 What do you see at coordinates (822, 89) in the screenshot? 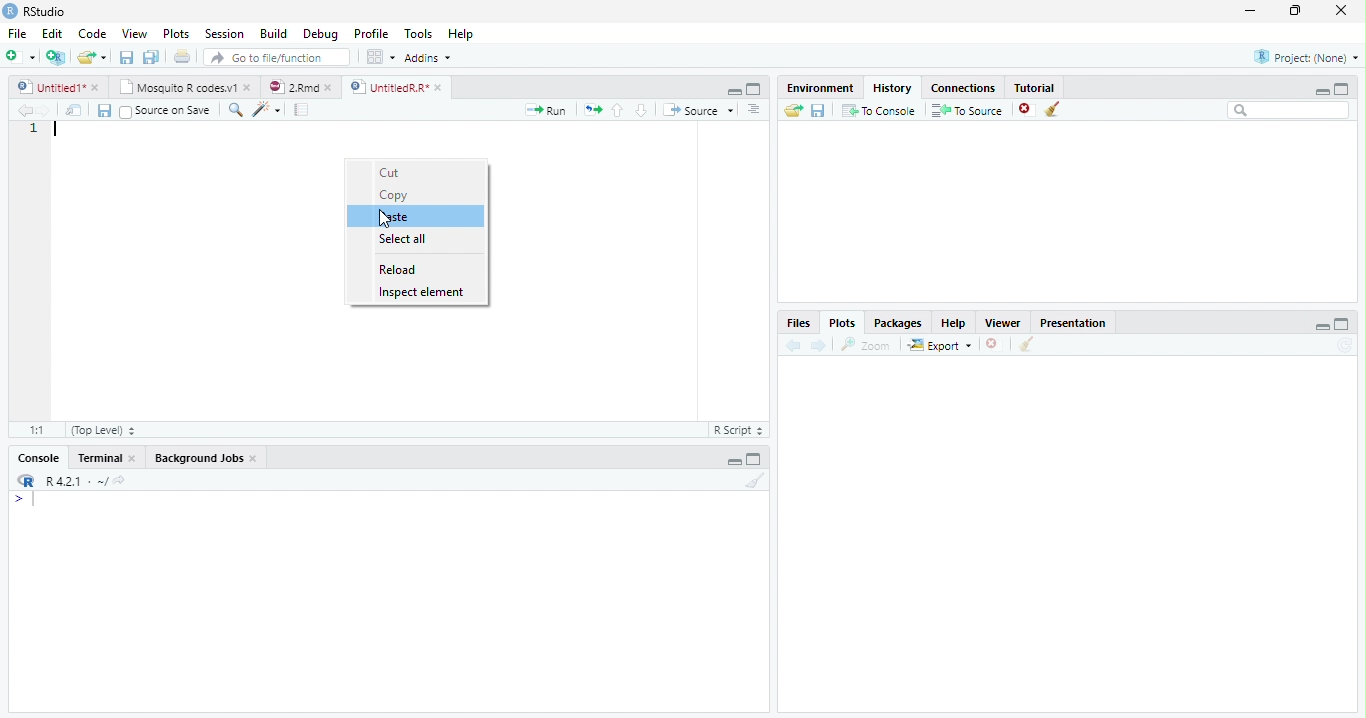
I see `Environment` at bounding box center [822, 89].